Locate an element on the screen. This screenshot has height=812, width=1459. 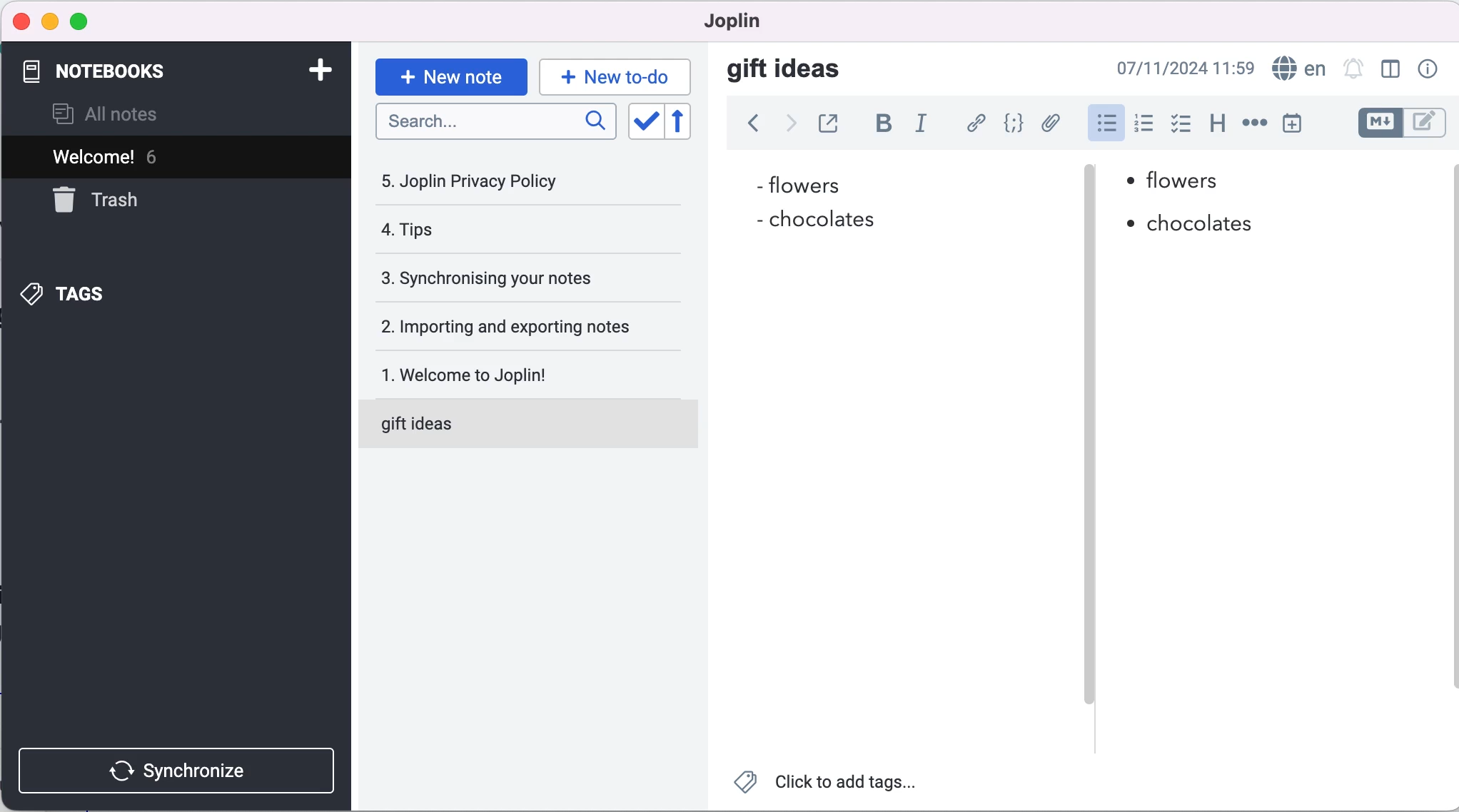
flowers is located at coordinates (818, 186).